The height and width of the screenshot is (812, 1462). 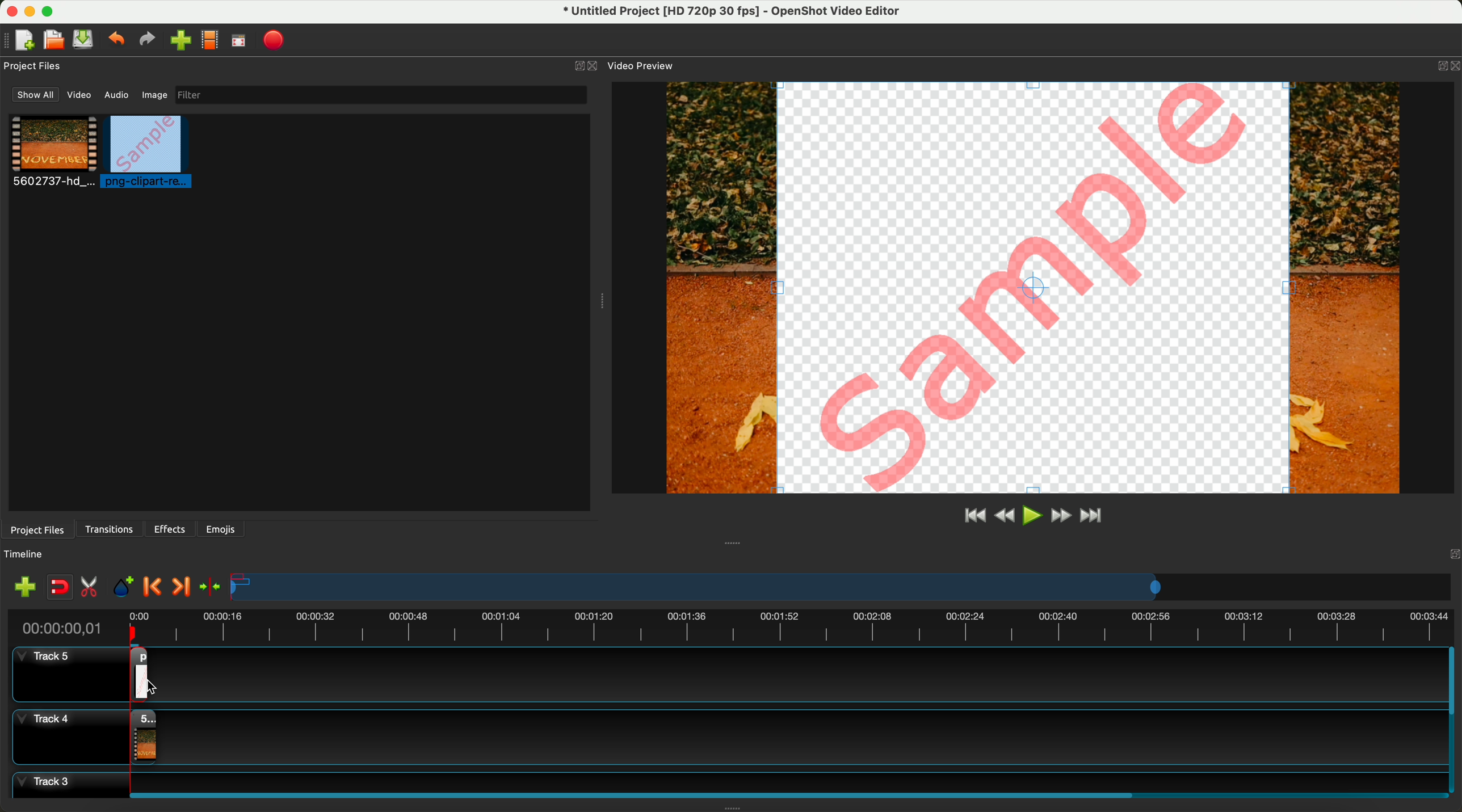 What do you see at coordinates (85, 40) in the screenshot?
I see `save file` at bounding box center [85, 40].